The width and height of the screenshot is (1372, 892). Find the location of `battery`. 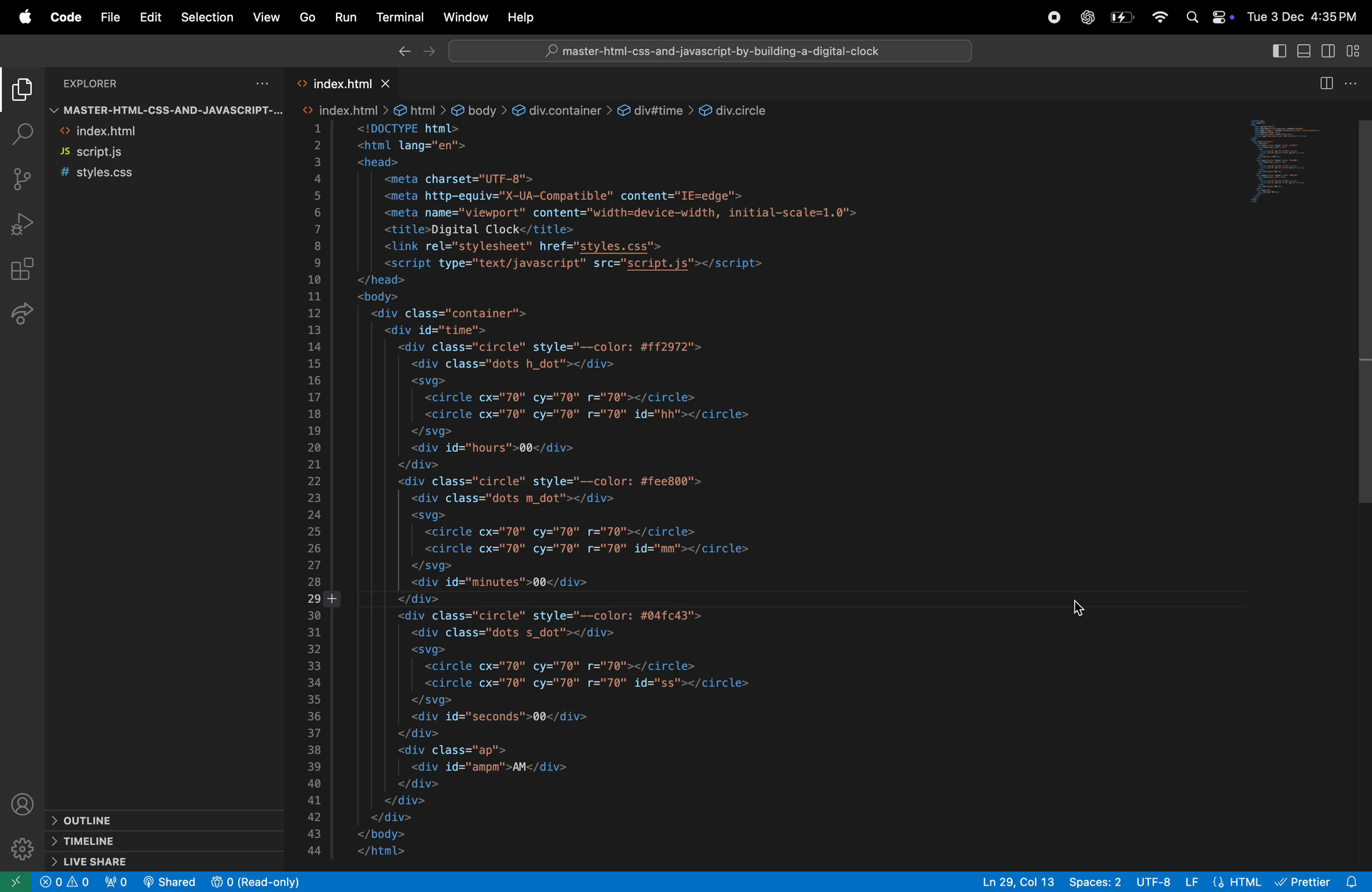

battery is located at coordinates (1120, 17).